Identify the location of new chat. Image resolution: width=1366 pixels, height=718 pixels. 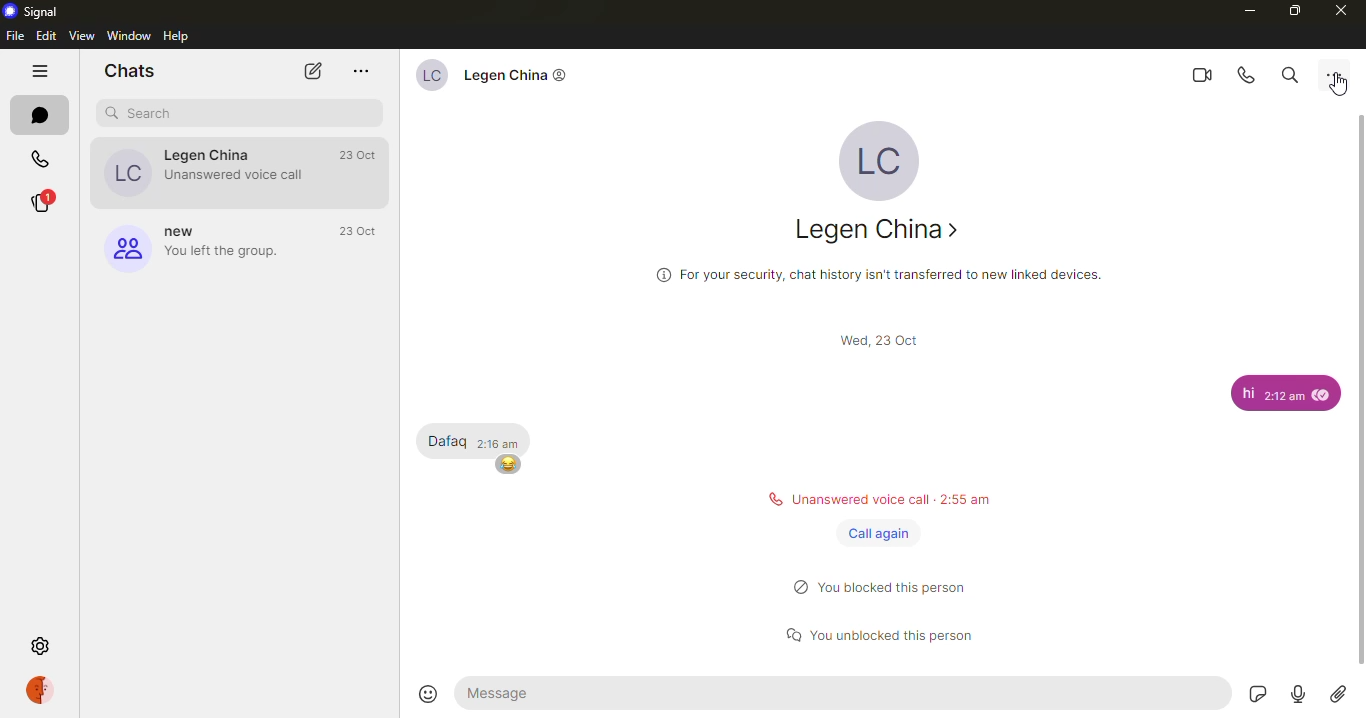
(309, 72).